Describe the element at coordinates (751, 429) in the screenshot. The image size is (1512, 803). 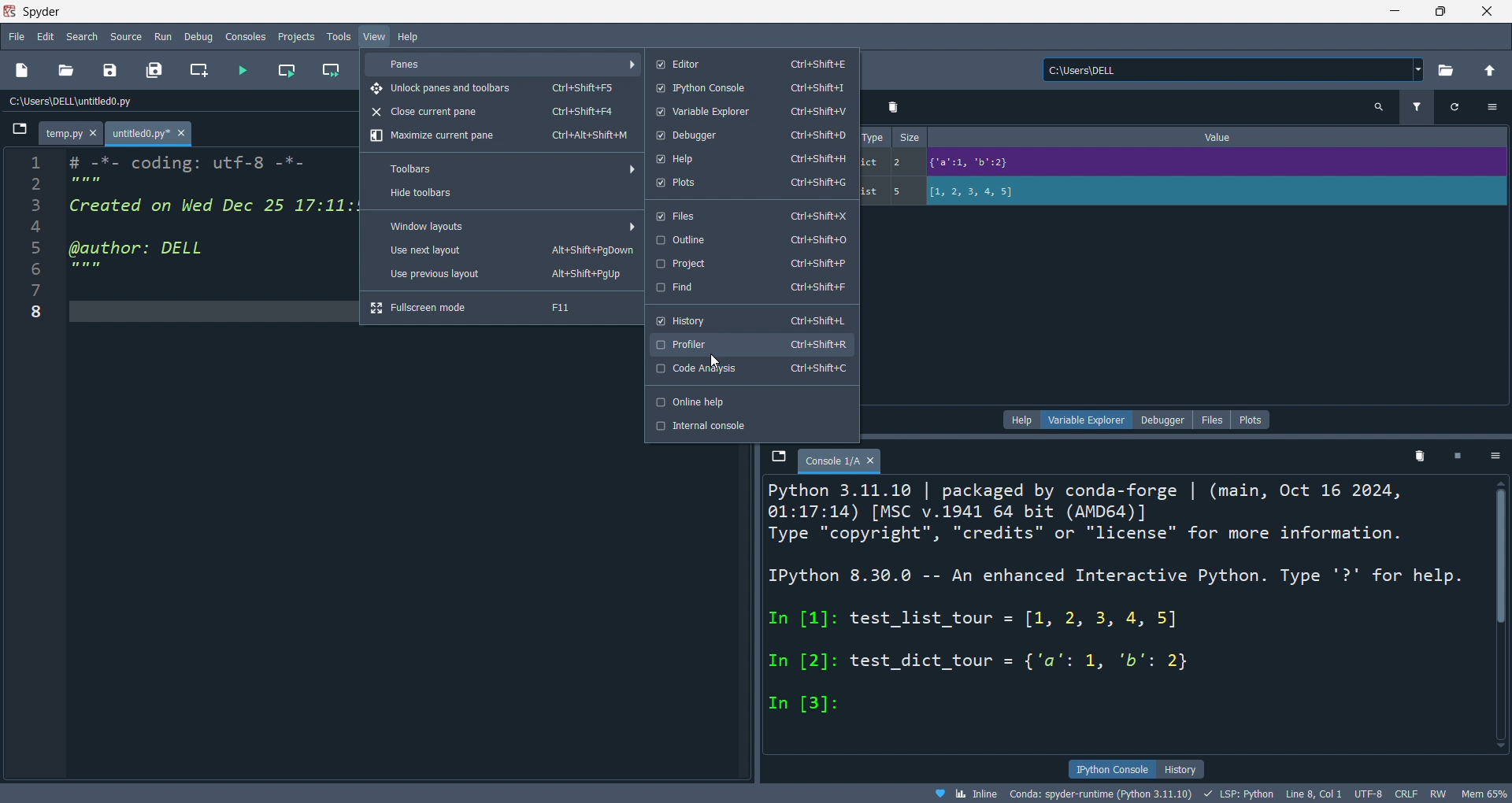
I see `internal console` at that location.